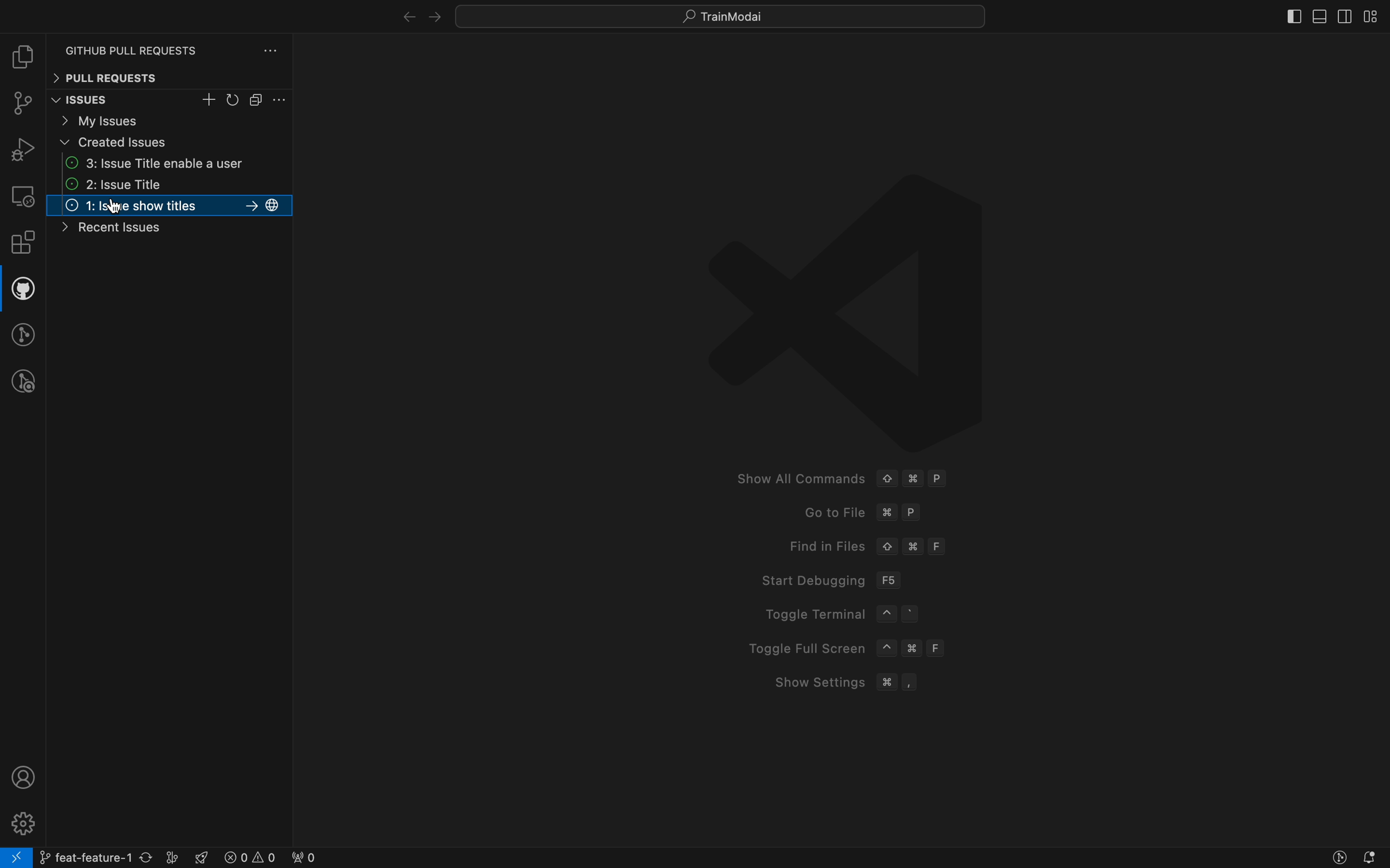 This screenshot has width=1390, height=868. Describe the element at coordinates (113, 210) in the screenshot. I see `cursor` at that location.